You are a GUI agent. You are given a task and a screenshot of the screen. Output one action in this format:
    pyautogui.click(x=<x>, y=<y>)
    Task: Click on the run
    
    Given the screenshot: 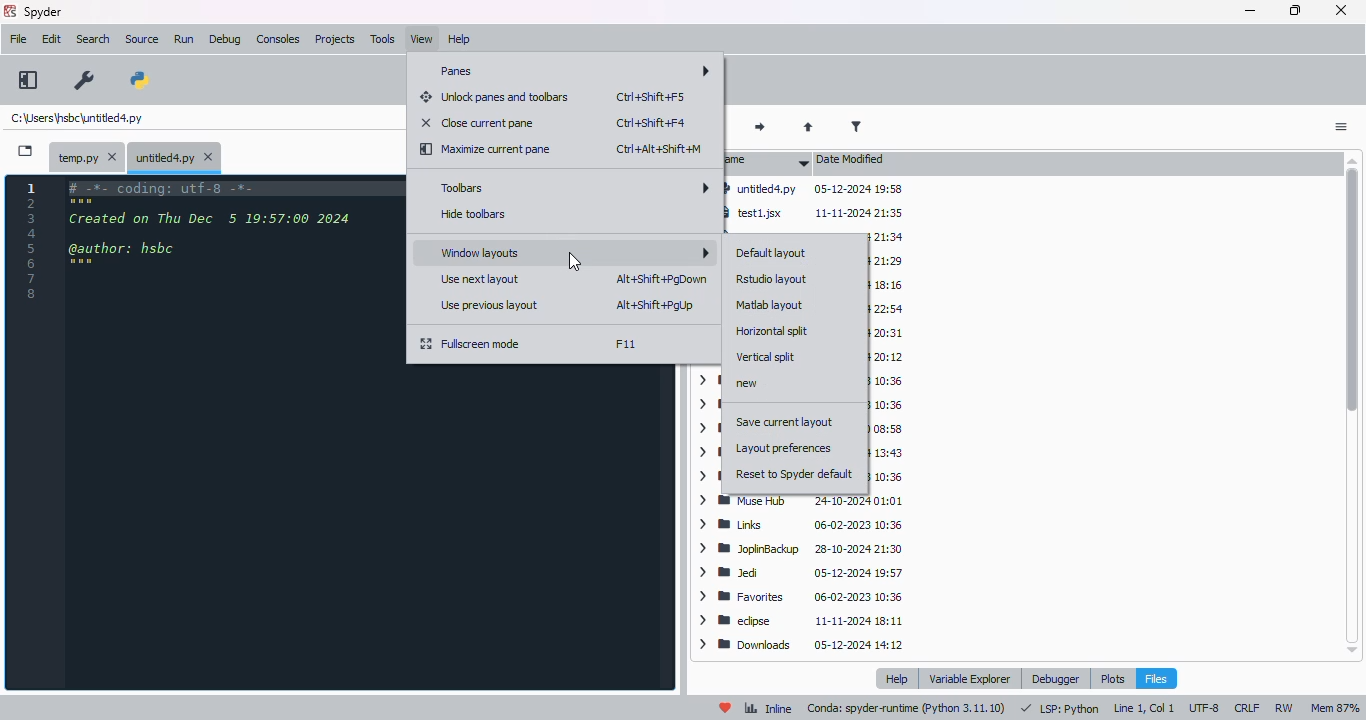 What is the action you would take?
    pyautogui.click(x=184, y=39)
    